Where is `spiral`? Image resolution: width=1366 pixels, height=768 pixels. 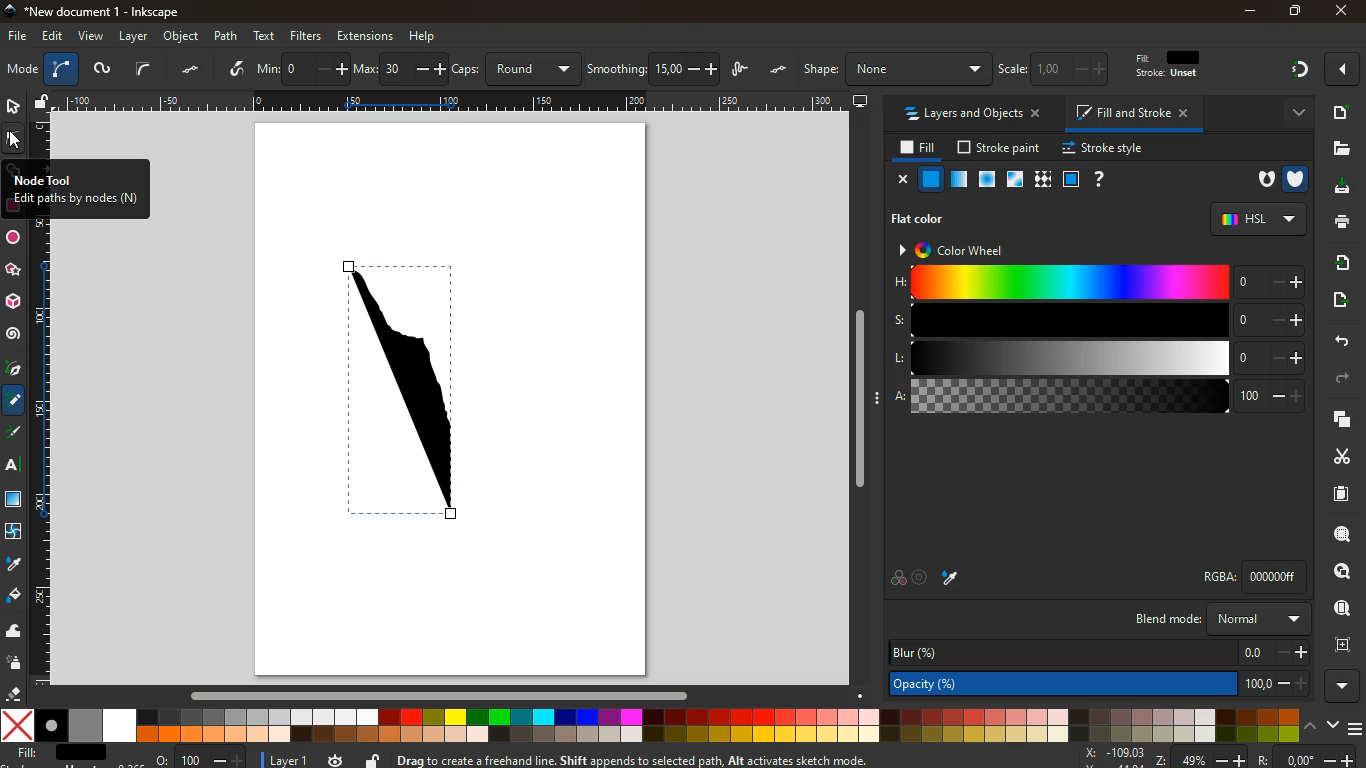 spiral is located at coordinates (13, 334).